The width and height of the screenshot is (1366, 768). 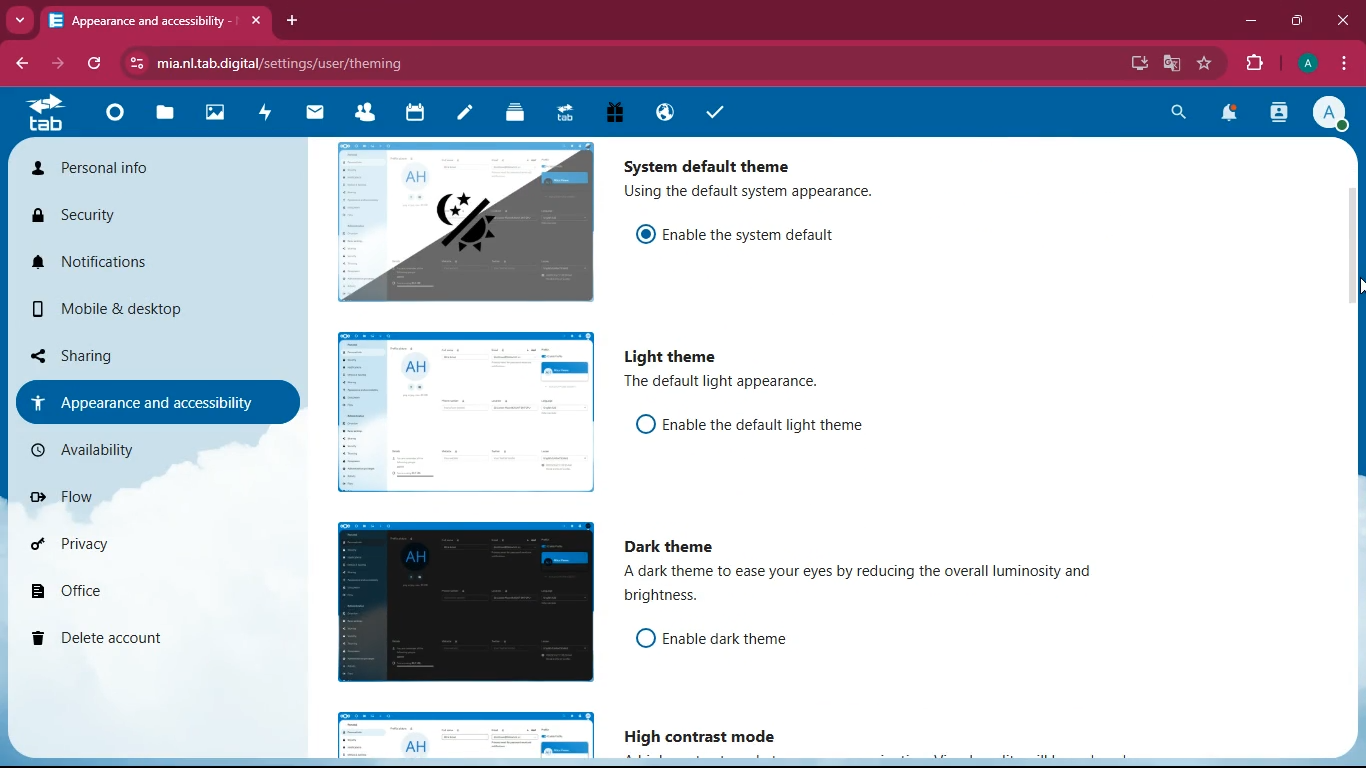 What do you see at coordinates (1335, 115) in the screenshot?
I see `profile` at bounding box center [1335, 115].